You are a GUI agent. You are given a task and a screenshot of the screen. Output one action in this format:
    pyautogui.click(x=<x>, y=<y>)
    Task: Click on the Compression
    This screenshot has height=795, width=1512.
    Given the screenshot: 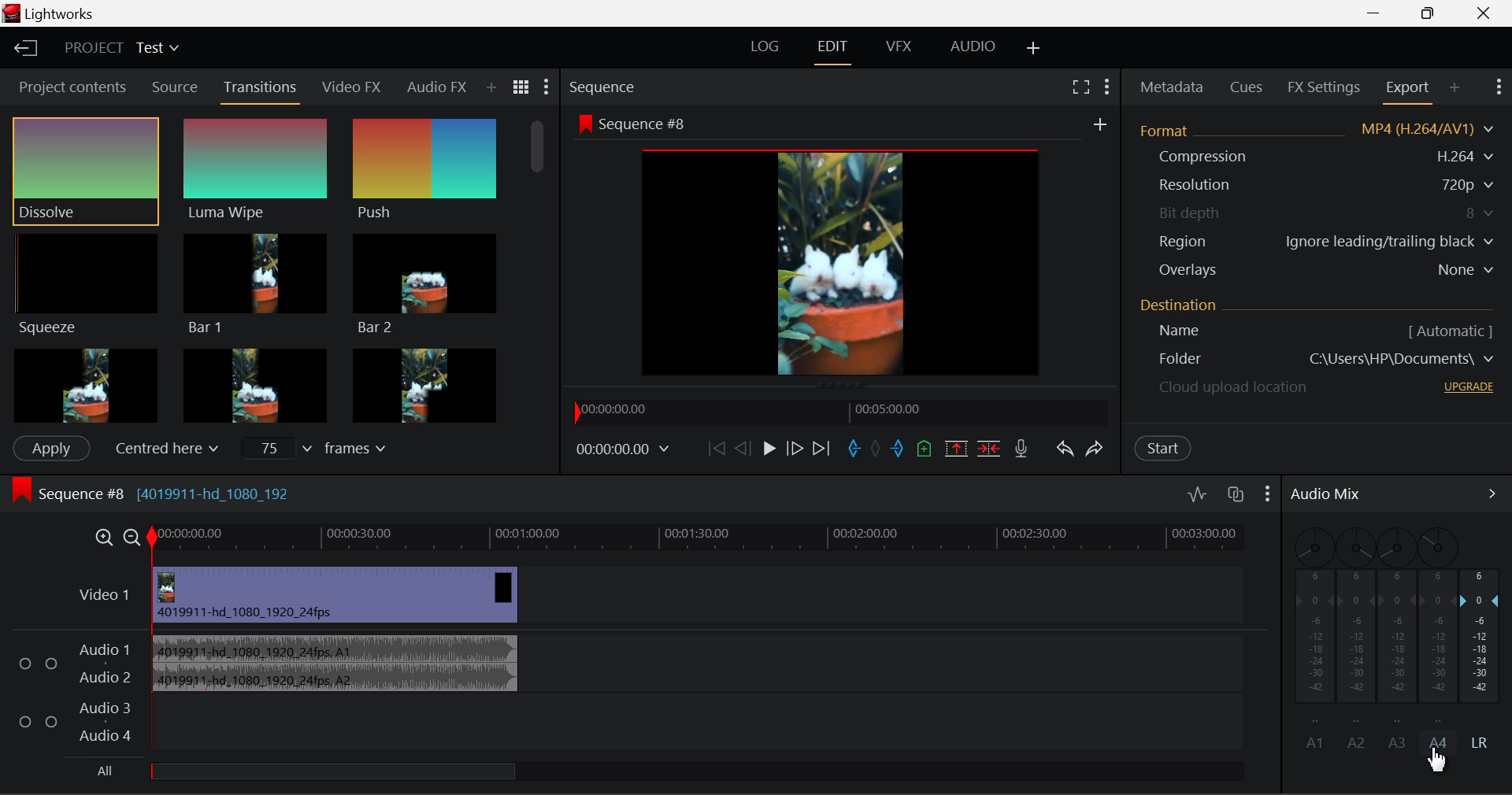 What is the action you would take?
    pyautogui.click(x=1314, y=156)
    